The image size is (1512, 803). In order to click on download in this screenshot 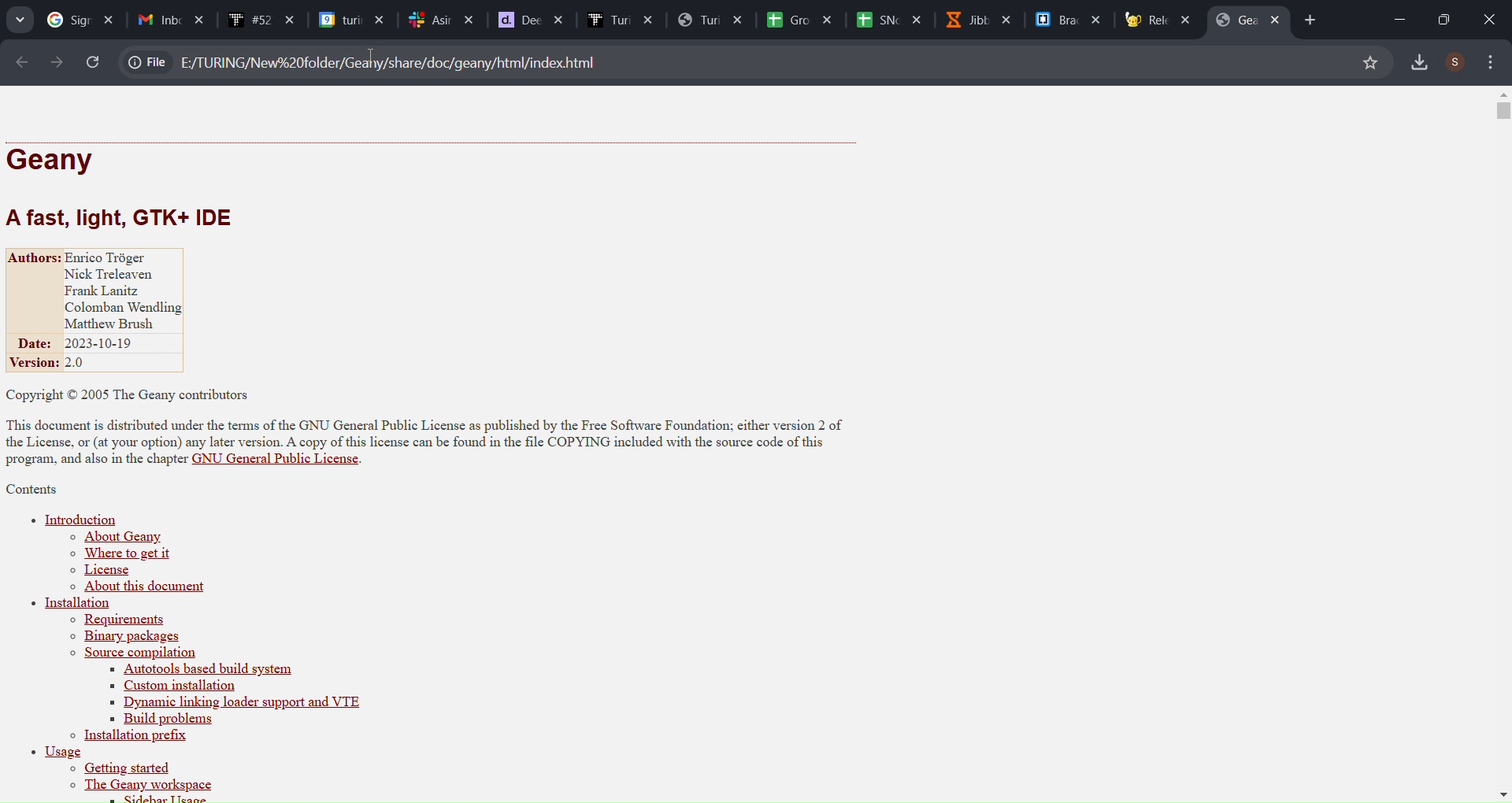, I will do `click(1422, 60)`.